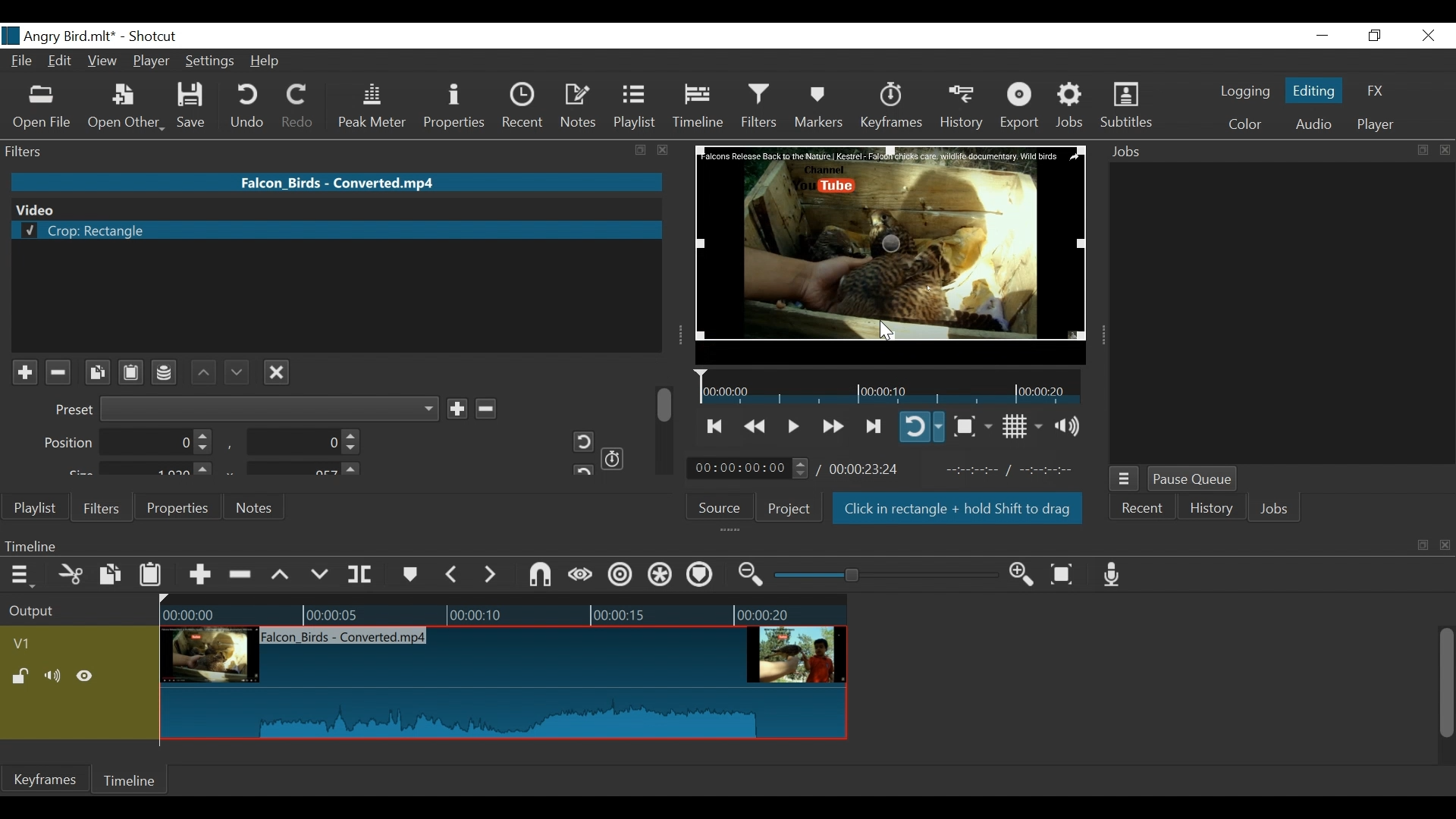 This screenshot has width=1456, height=819. Describe the element at coordinates (818, 106) in the screenshot. I see `Markers` at that location.